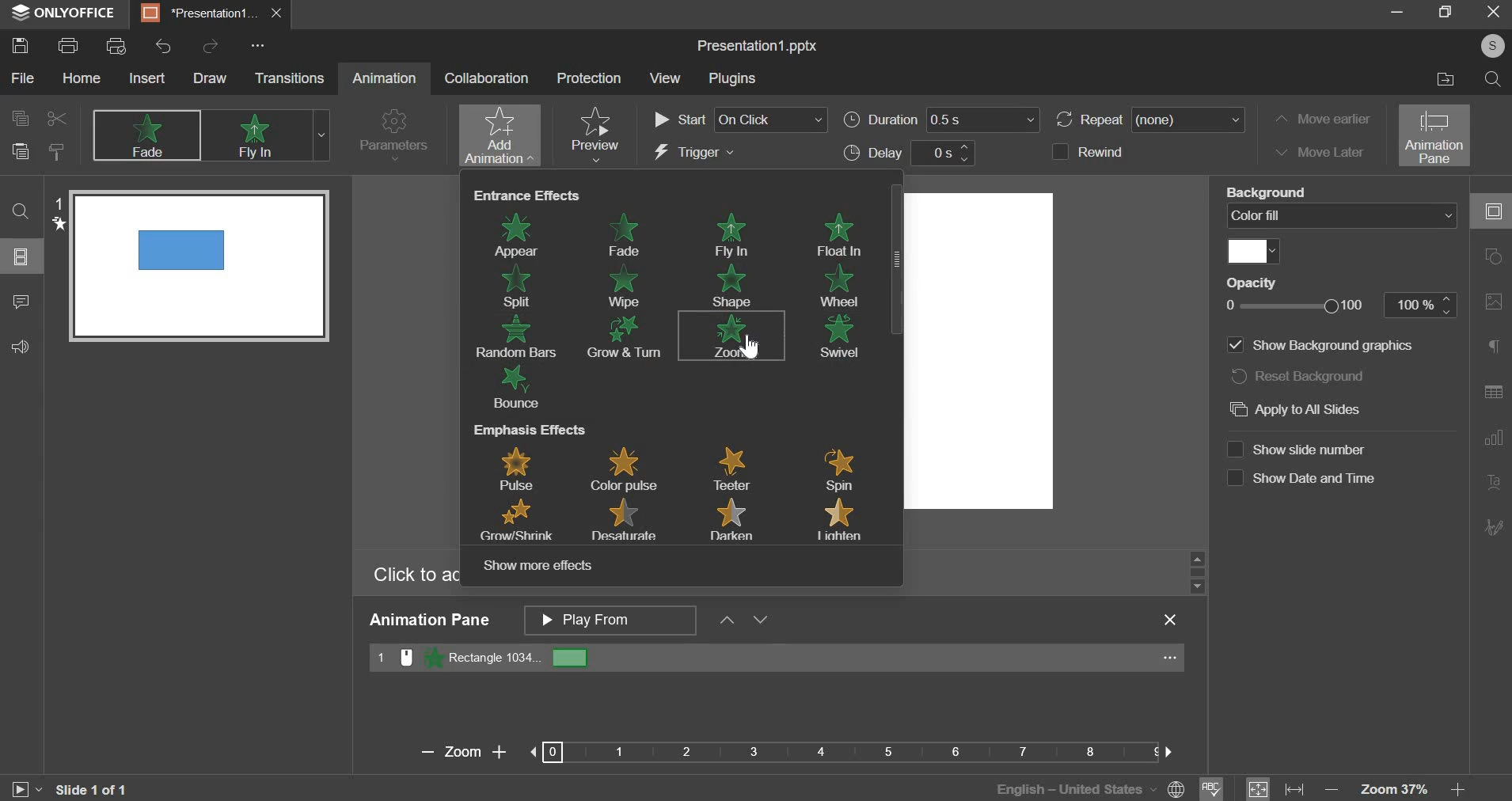 The width and height of the screenshot is (1512, 801). I want to click on Apply to All Slides, so click(1301, 413).